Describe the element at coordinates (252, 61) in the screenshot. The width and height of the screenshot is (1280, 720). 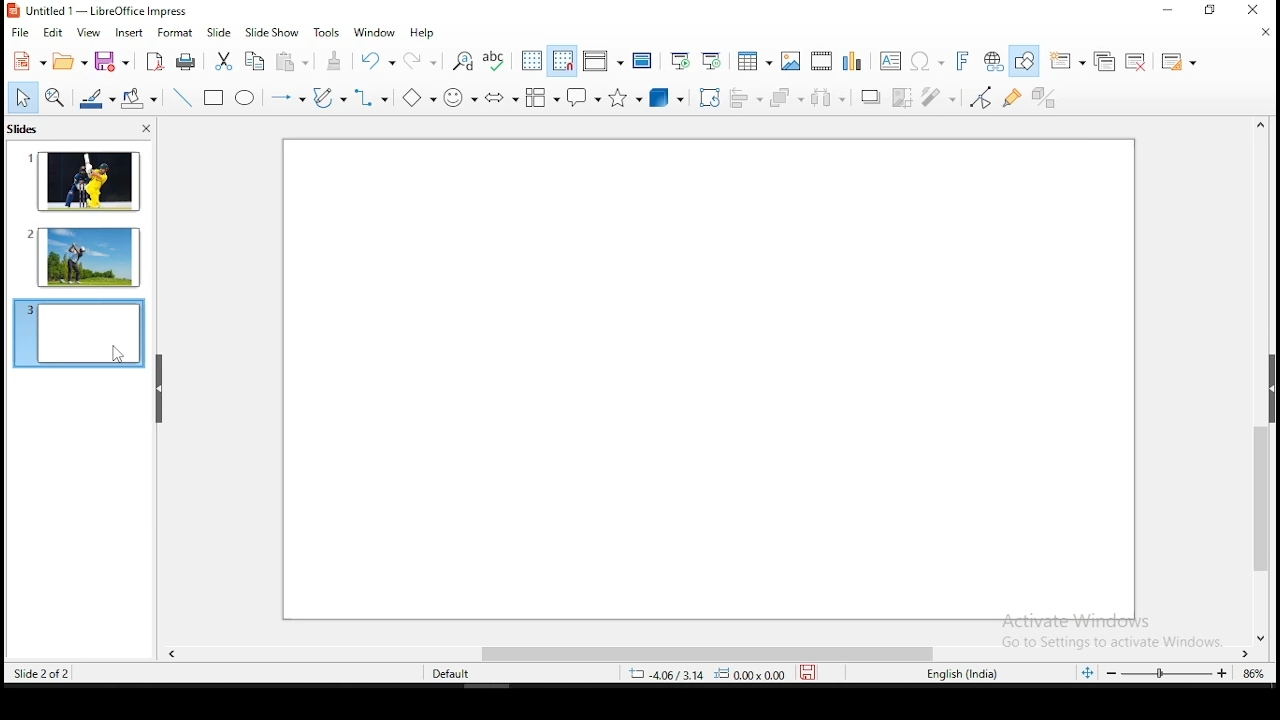
I see `copy` at that location.